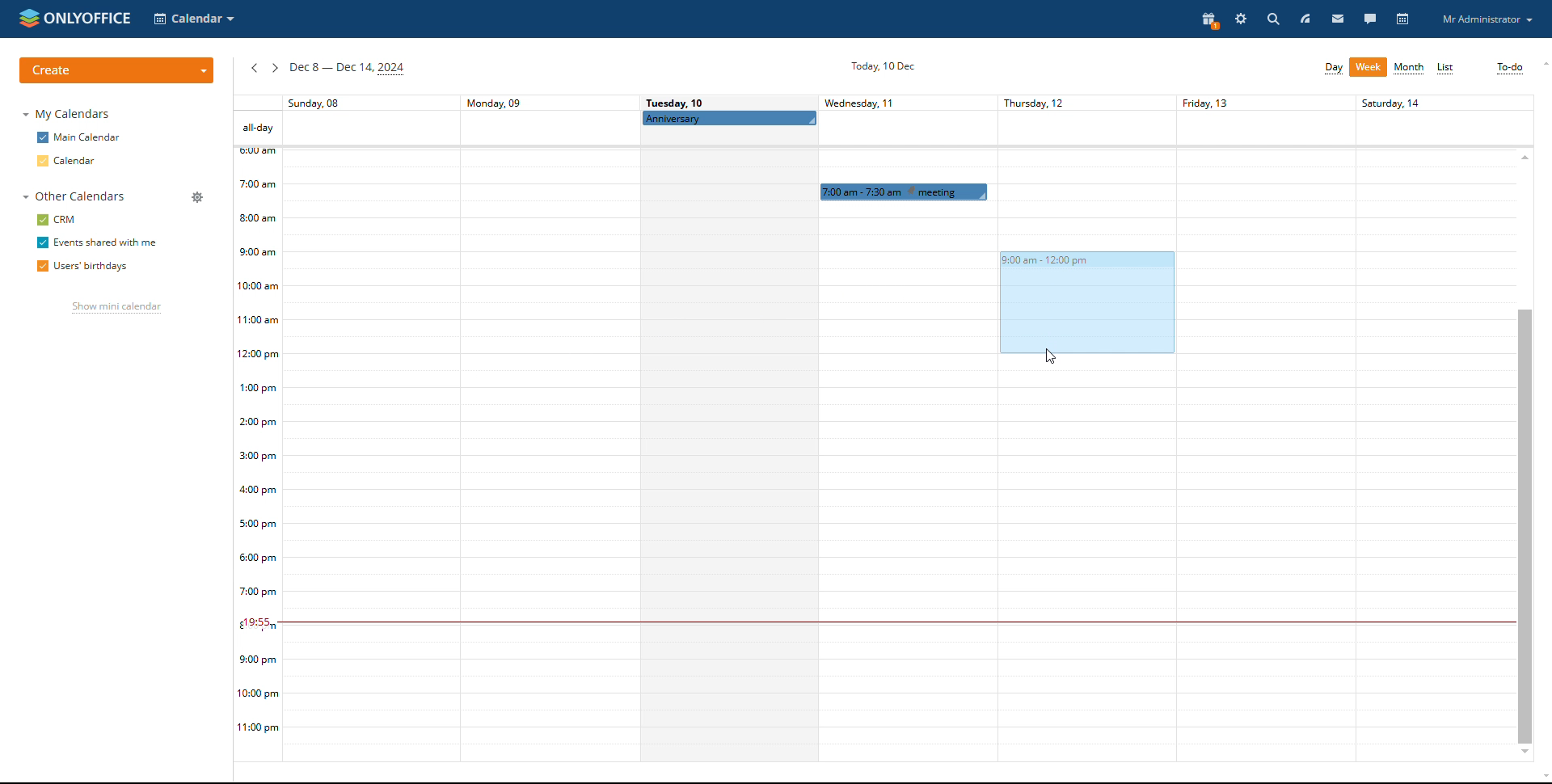 This screenshot has width=1552, height=784. What do you see at coordinates (67, 220) in the screenshot?
I see `crm` at bounding box center [67, 220].